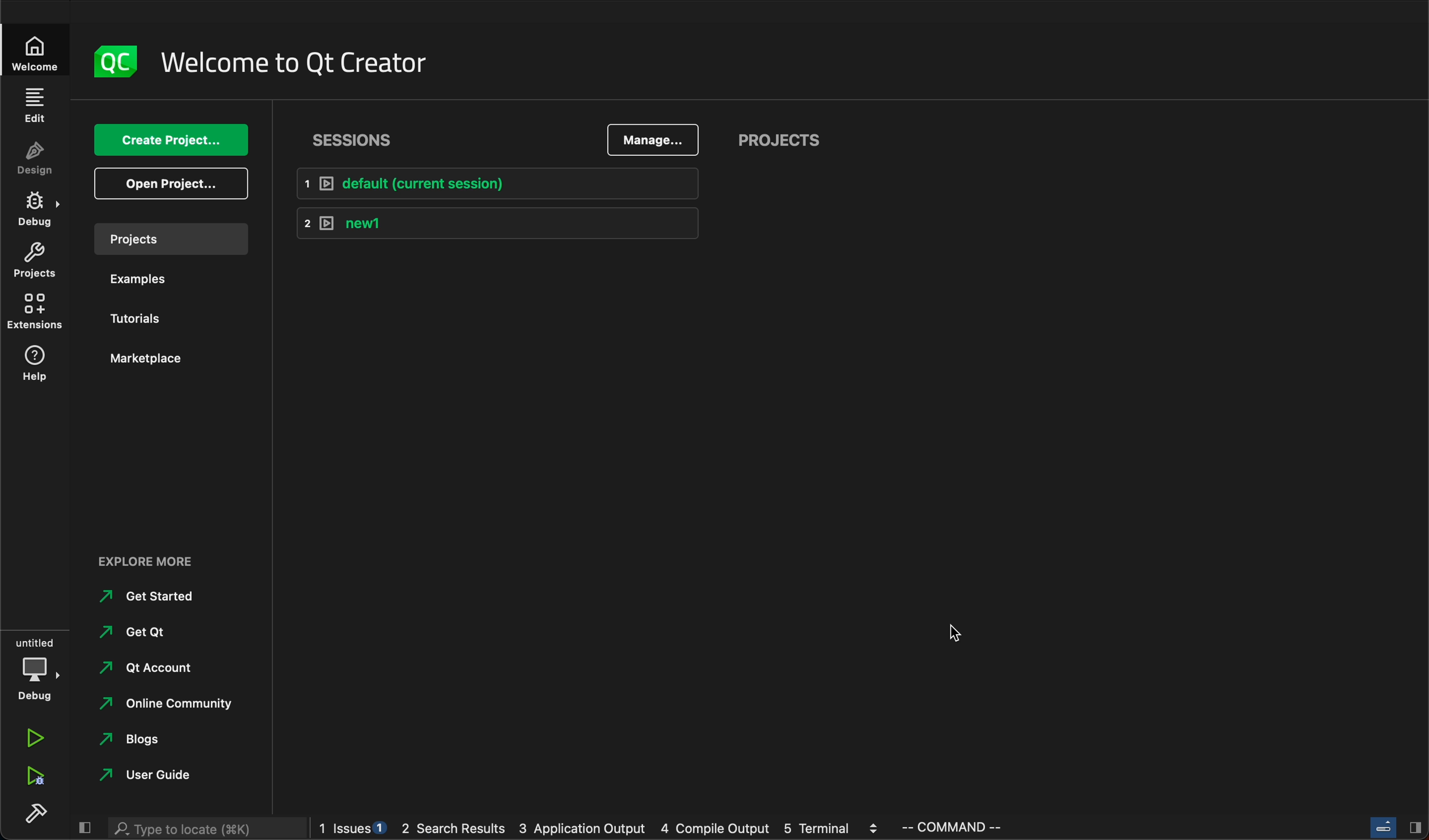  What do you see at coordinates (498, 226) in the screenshot?
I see `new1` at bounding box center [498, 226].